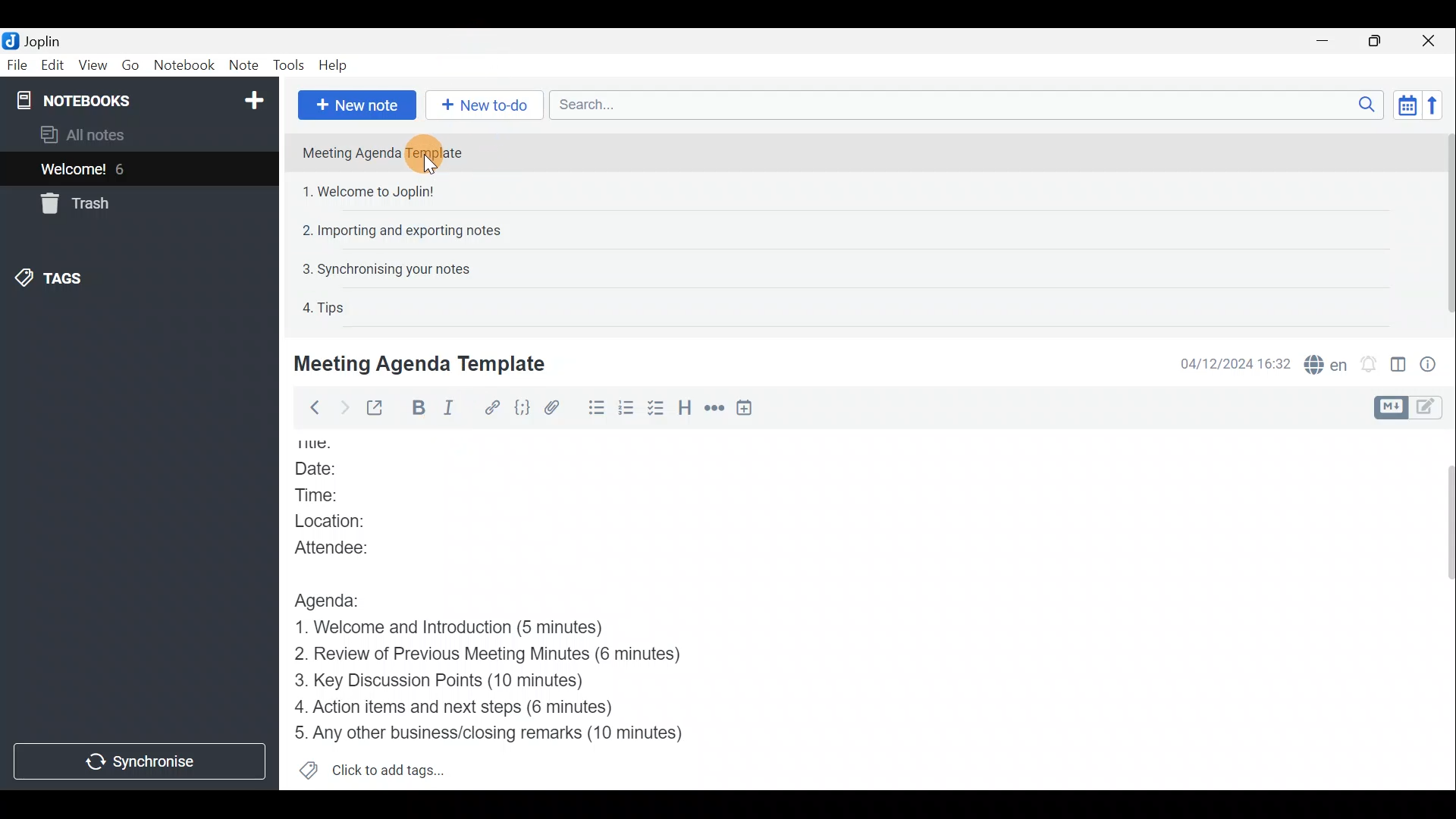  I want to click on Code, so click(524, 410).